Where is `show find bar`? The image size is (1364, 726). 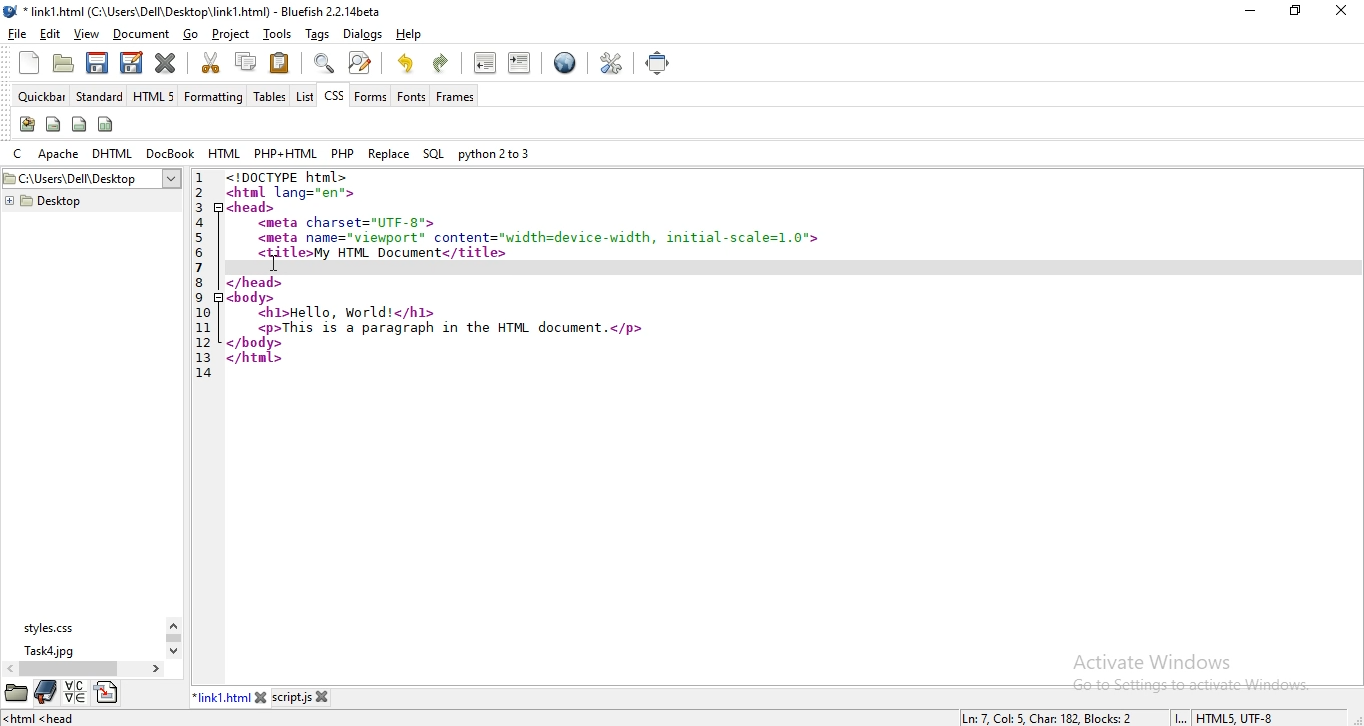
show find bar is located at coordinates (321, 63).